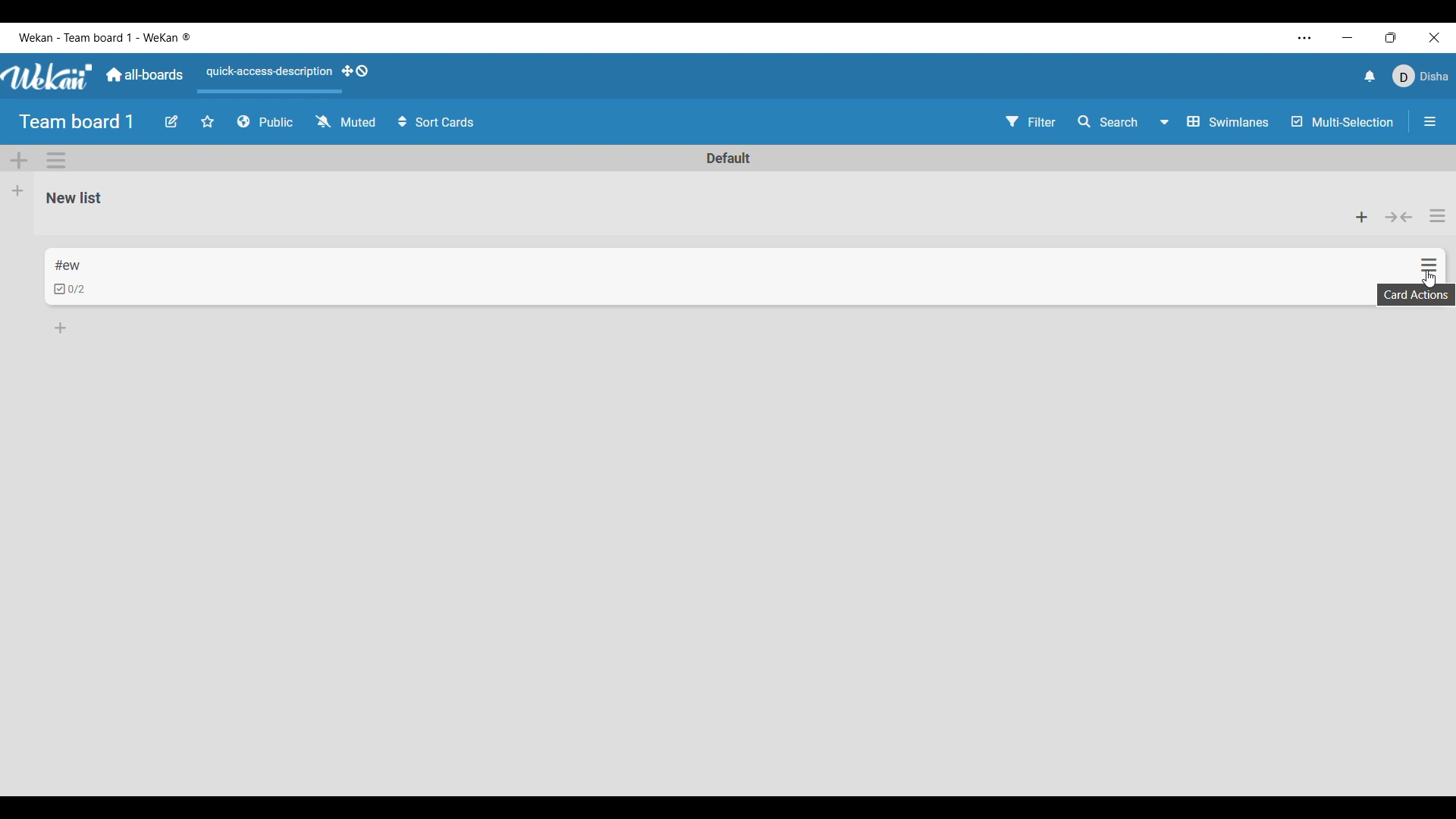 Image resolution: width=1456 pixels, height=819 pixels. Describe the element at coordinates (1426, 281) in the screenshot. I see `cursor` at that location.